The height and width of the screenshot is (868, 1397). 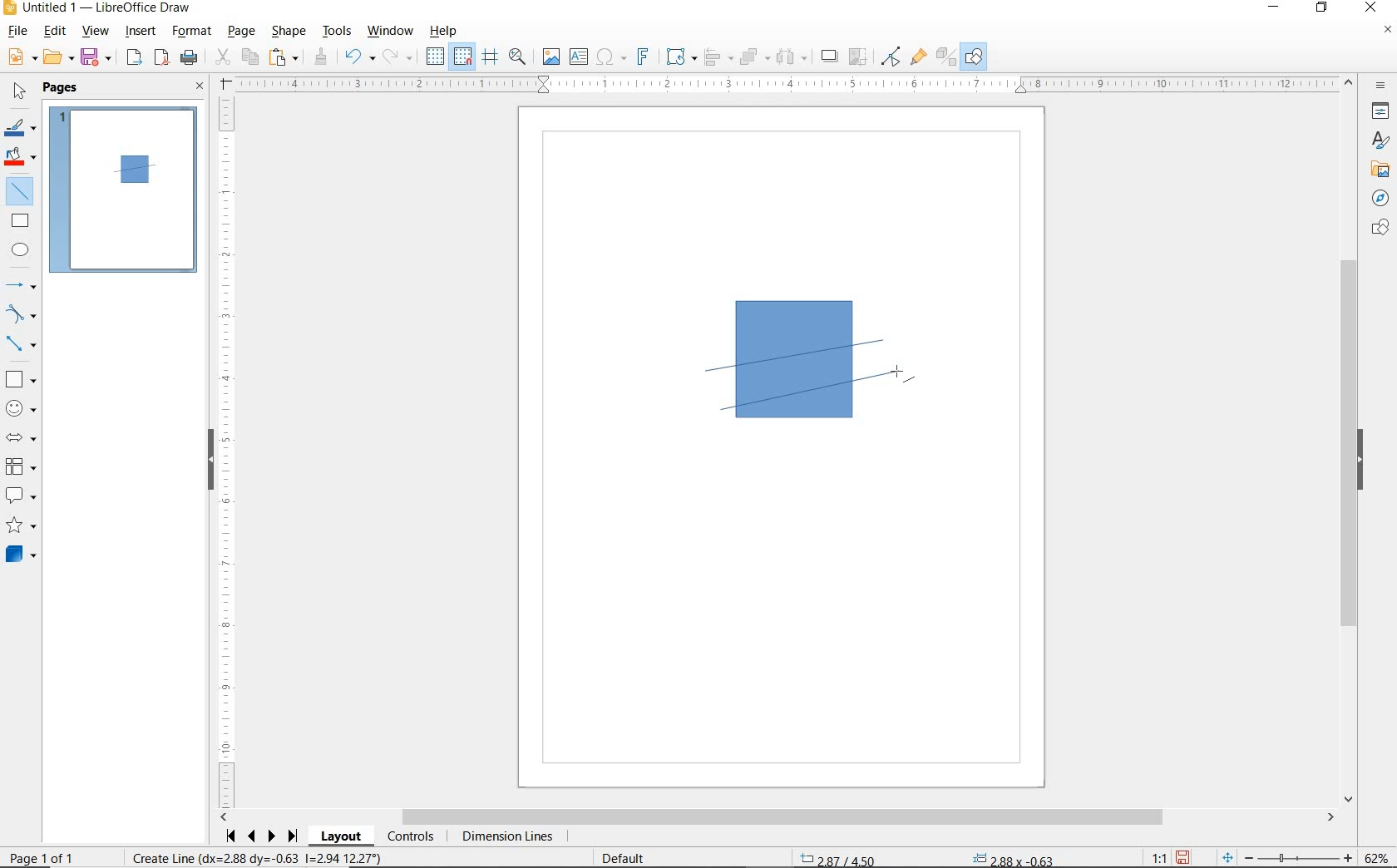 I want to click on EDIT, so click(x=55, y=31).